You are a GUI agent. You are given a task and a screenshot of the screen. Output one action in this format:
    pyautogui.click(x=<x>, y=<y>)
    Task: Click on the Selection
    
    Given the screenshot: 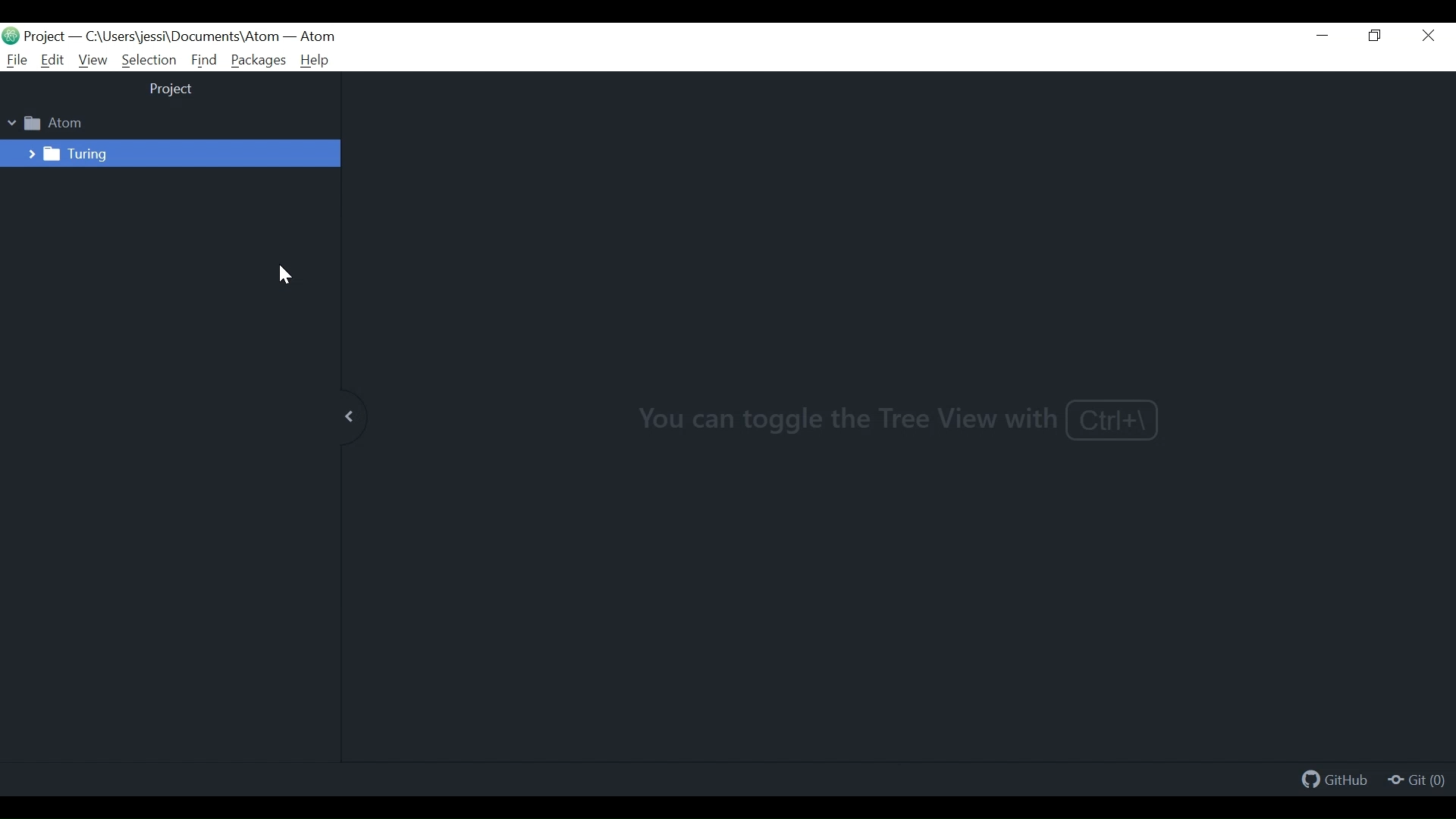 What is the action you would take?
    pyautogui.click(x=149, y=60)
    